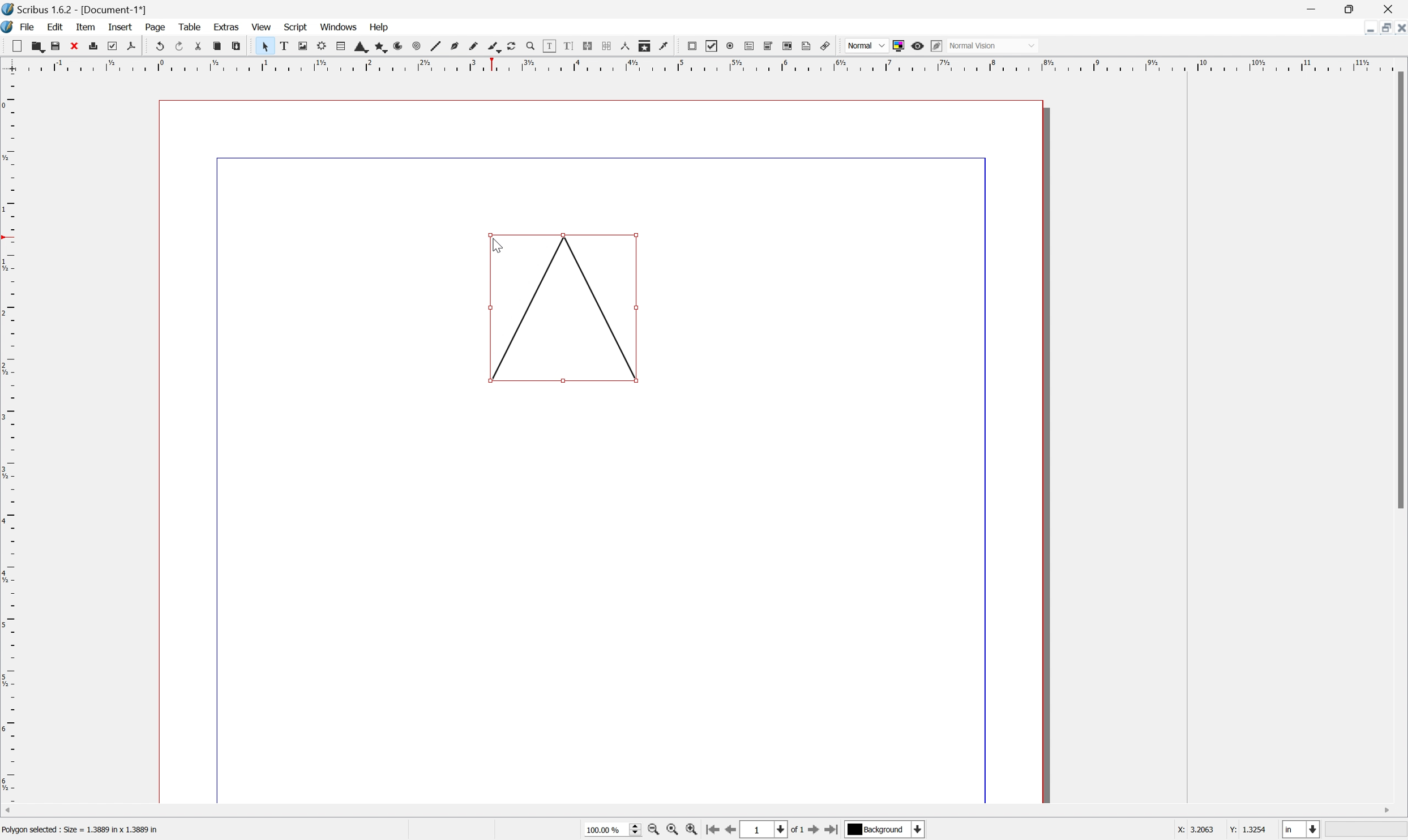 The width and height of the screenshot is (1408, 840). What do you see at coordinates (1399, 290) in the screenshot?
I see `Scroll Bar` at bounding box center [1399, 290].